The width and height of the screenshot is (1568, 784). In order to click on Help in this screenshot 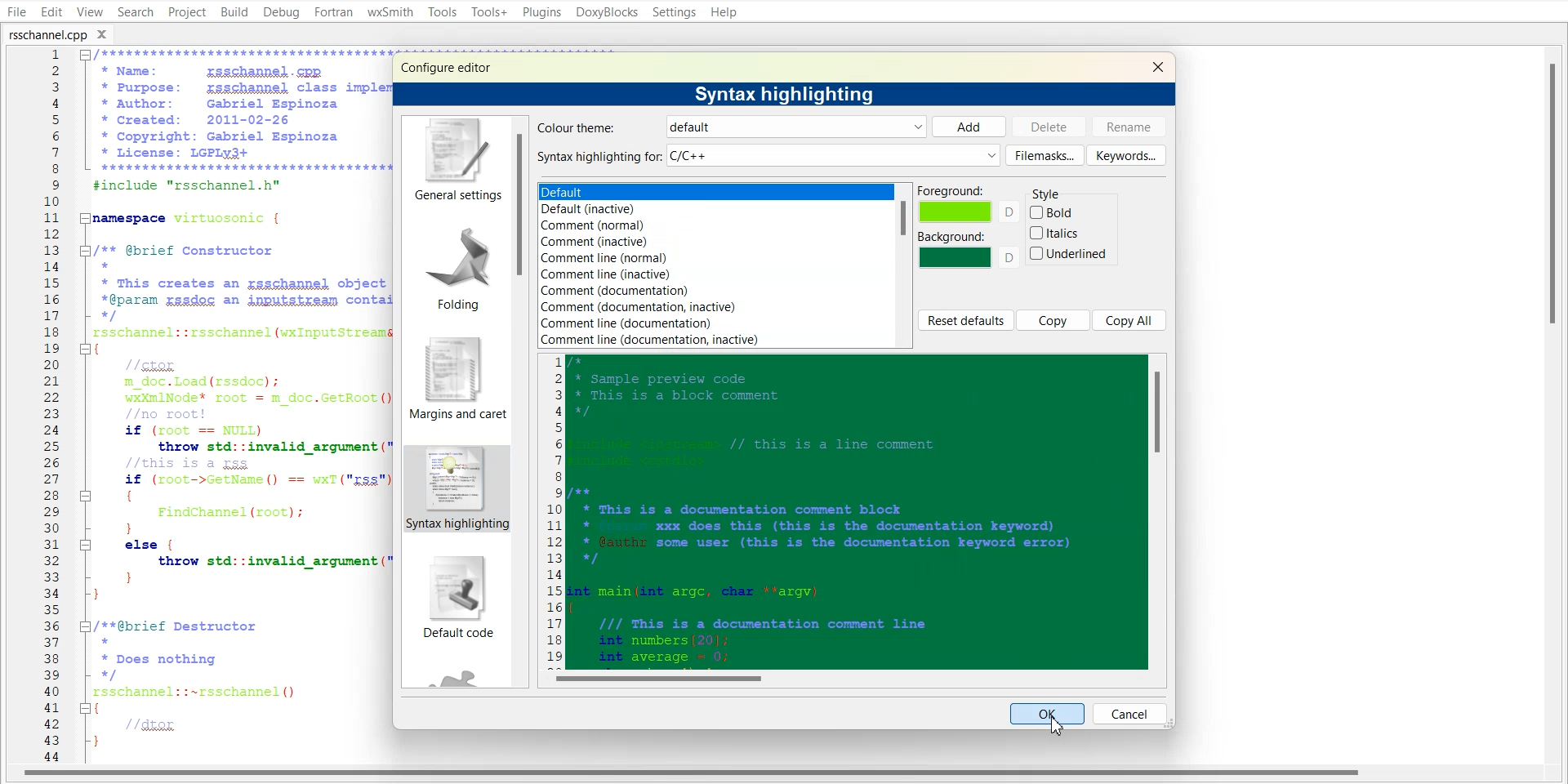, I will do `click(724, 11)`.